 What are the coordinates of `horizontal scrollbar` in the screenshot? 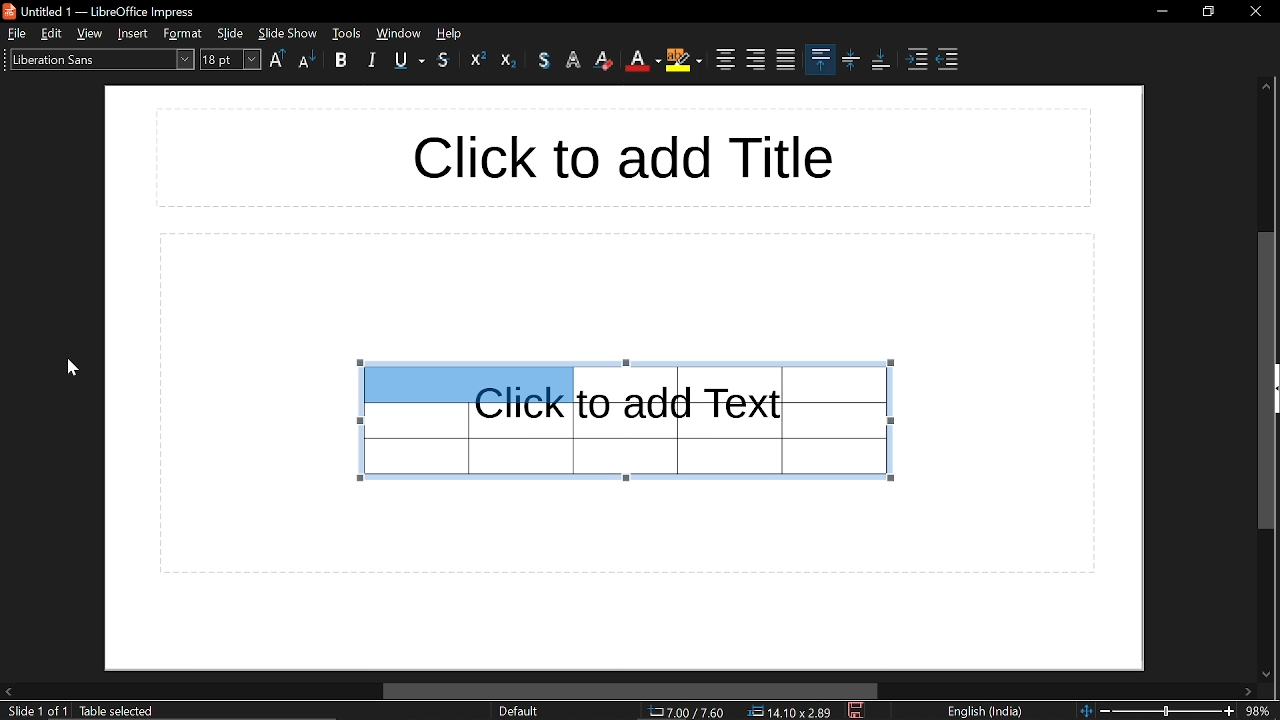 It's located at (631, 691).